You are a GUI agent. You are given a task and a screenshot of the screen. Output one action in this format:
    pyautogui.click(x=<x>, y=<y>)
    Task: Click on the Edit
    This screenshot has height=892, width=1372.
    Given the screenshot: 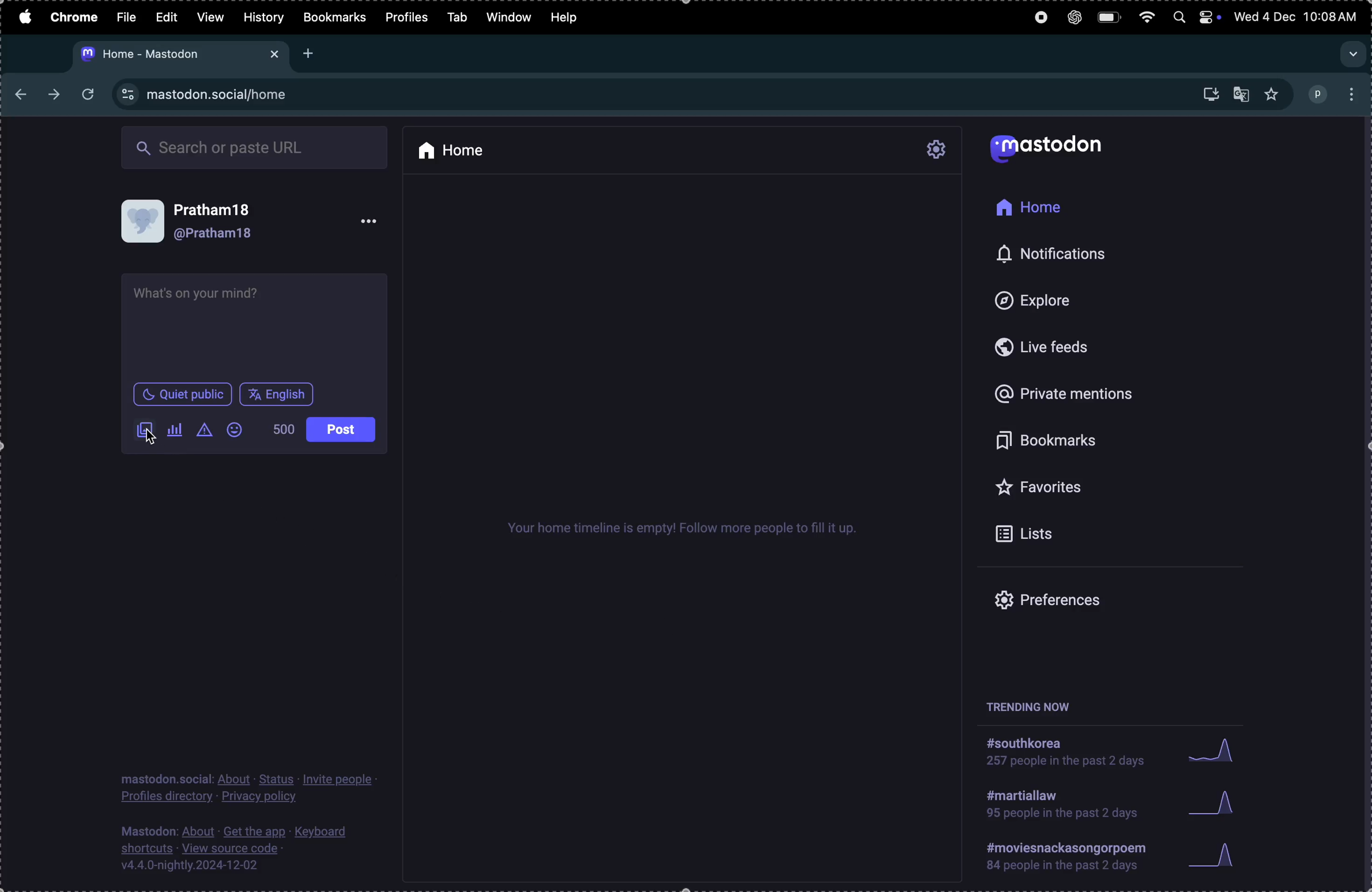 What is the action you would take?
    pyautogui.click(x=169, y=16)
    